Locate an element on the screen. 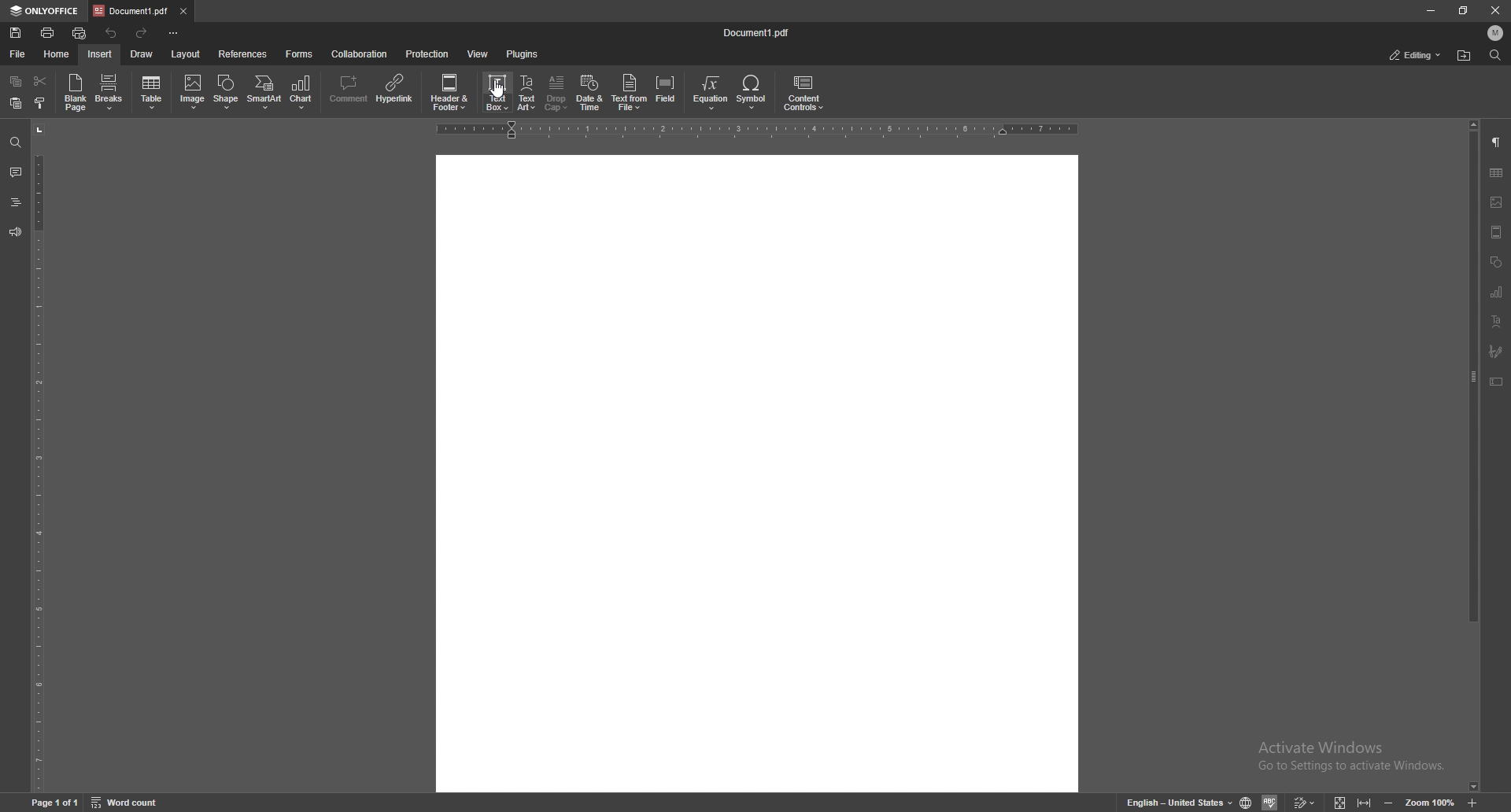  image is located at coordinates (193, 91).